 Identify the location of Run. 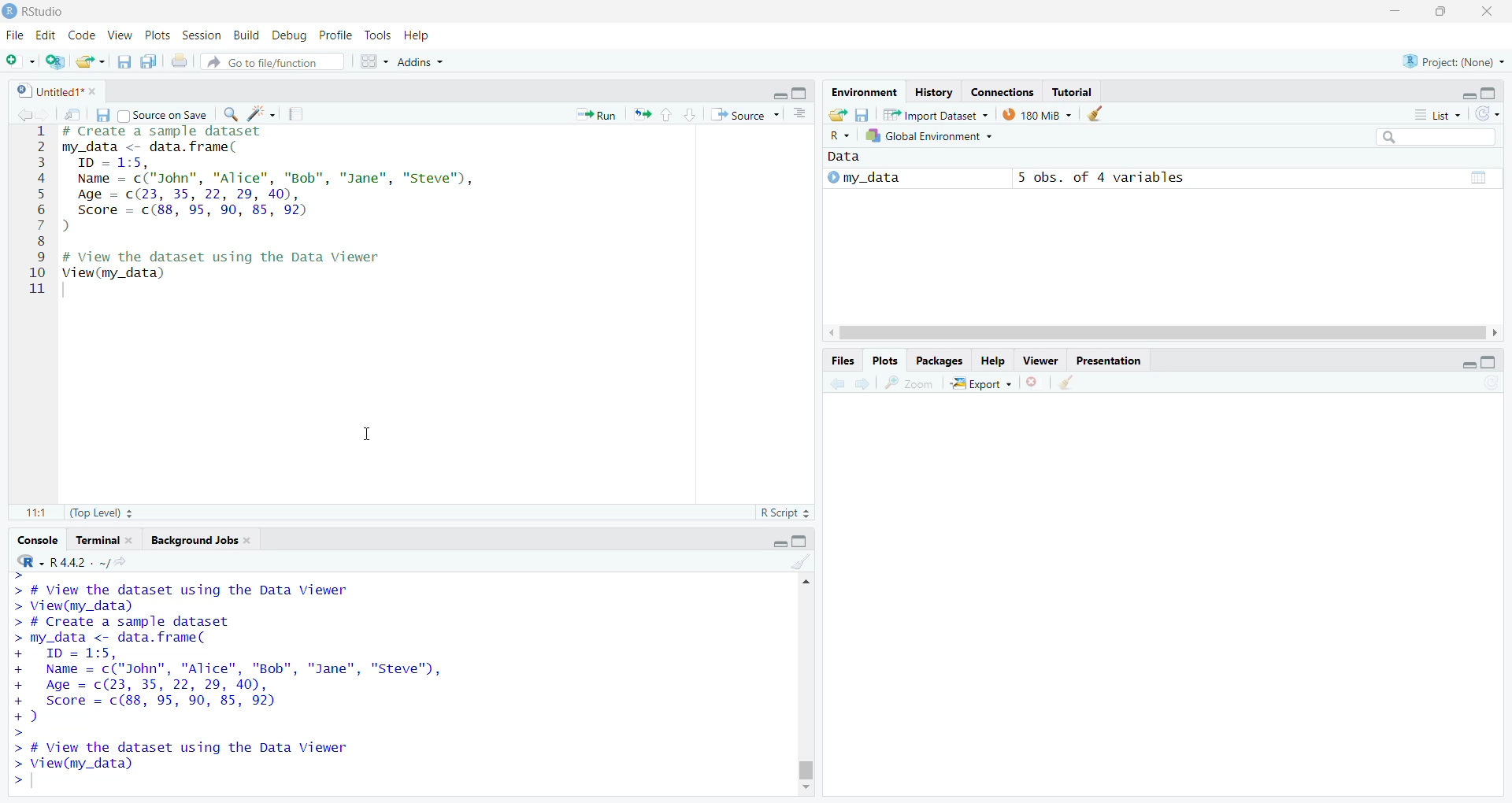
(600, 116).